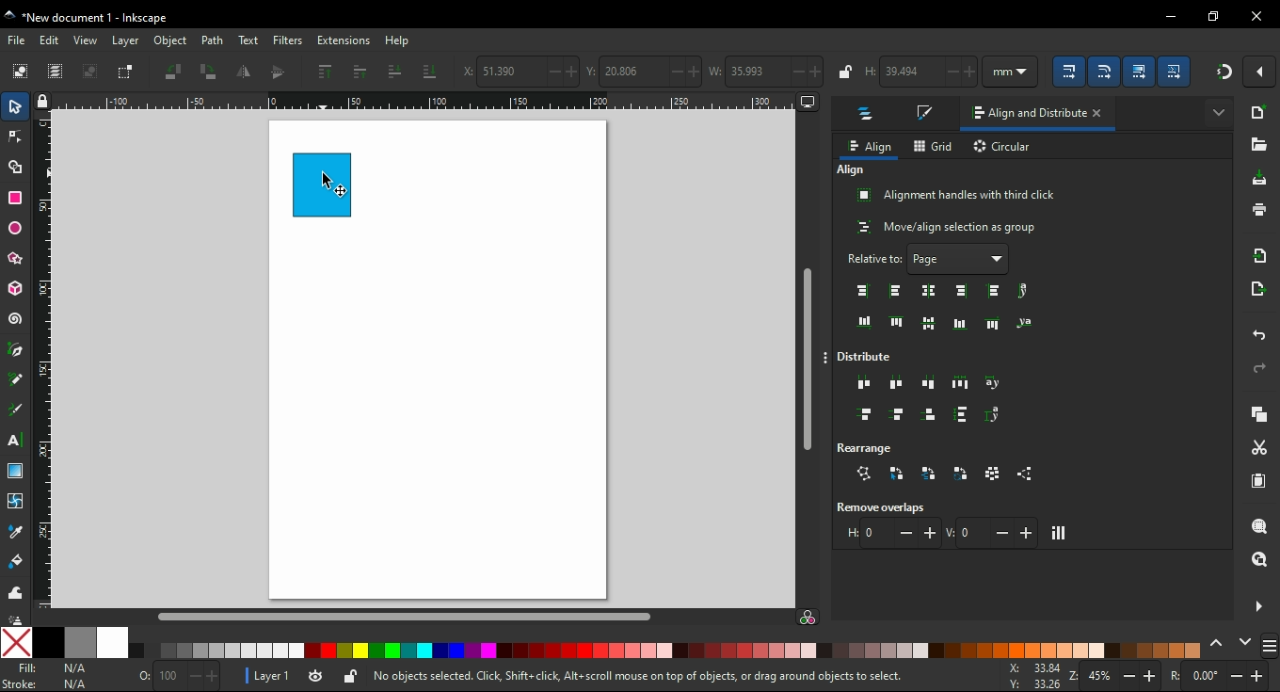  What do you see at coordinates (960, 382) in the screenshot?
I see `distribute horizontally with even horizontal gaps` at bounding box center [960, 382].